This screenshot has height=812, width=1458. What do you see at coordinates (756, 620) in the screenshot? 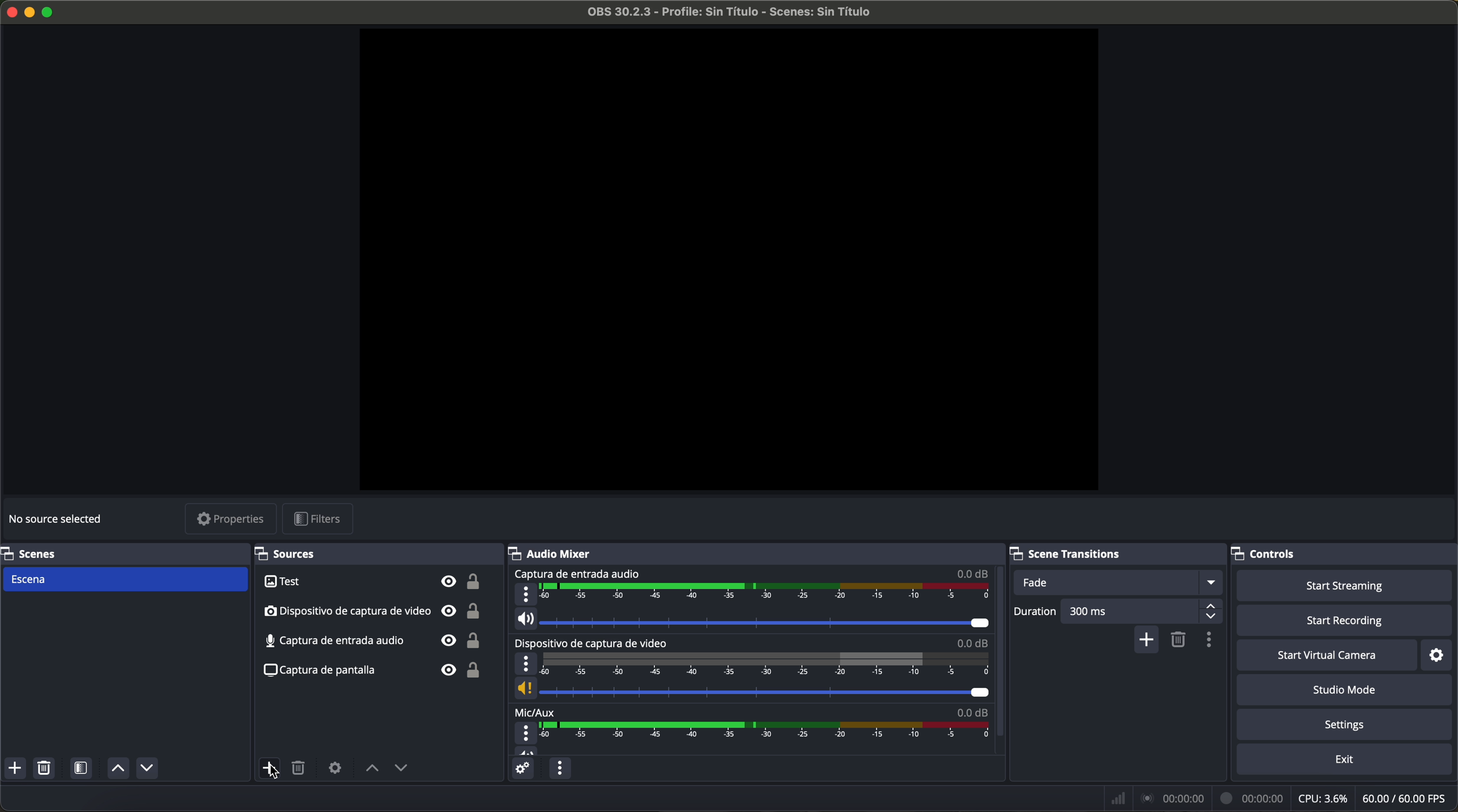
I see `vol` at bounding box center [756, 620].